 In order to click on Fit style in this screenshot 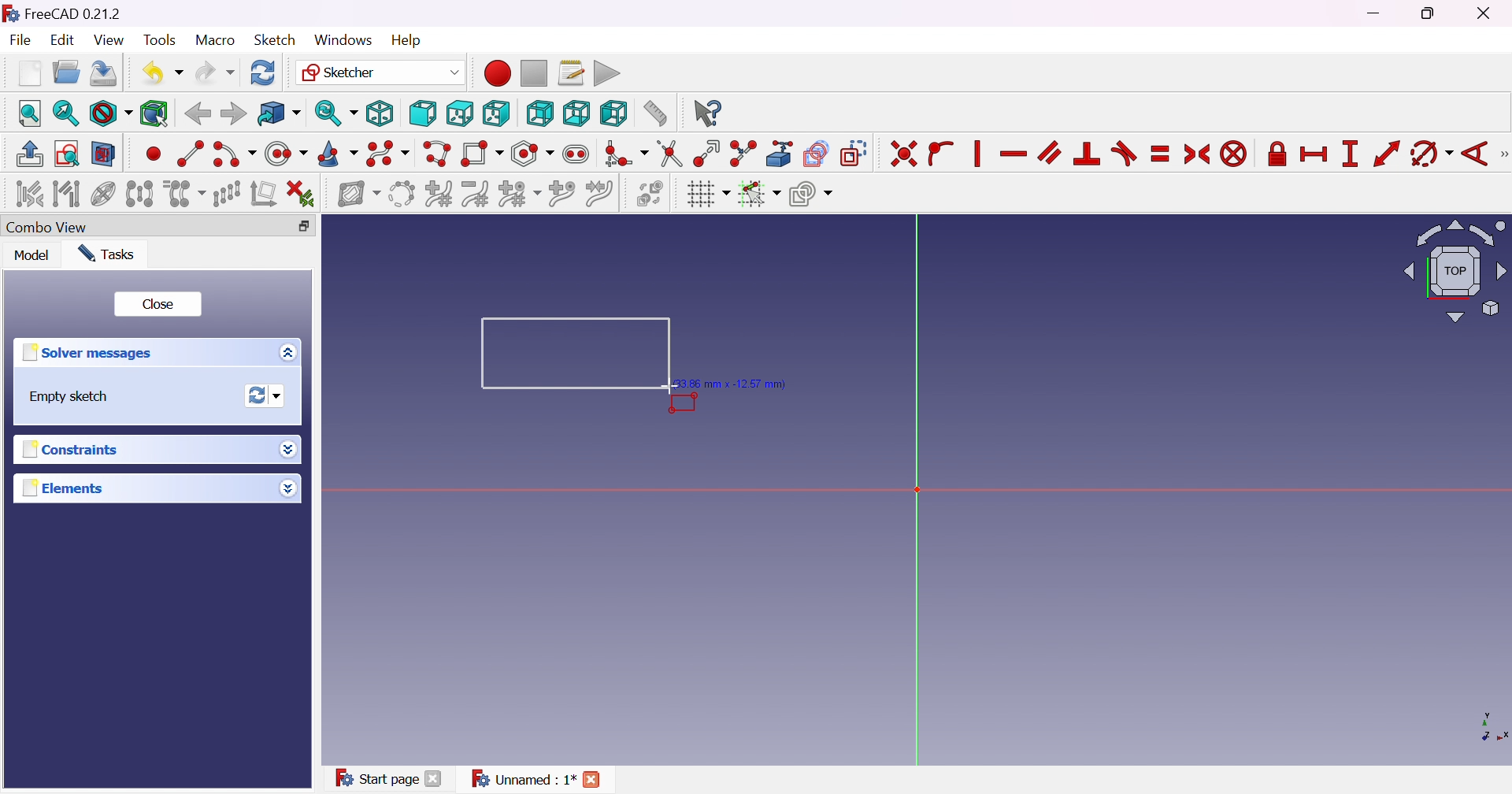, I will do `click(109, 113)`.